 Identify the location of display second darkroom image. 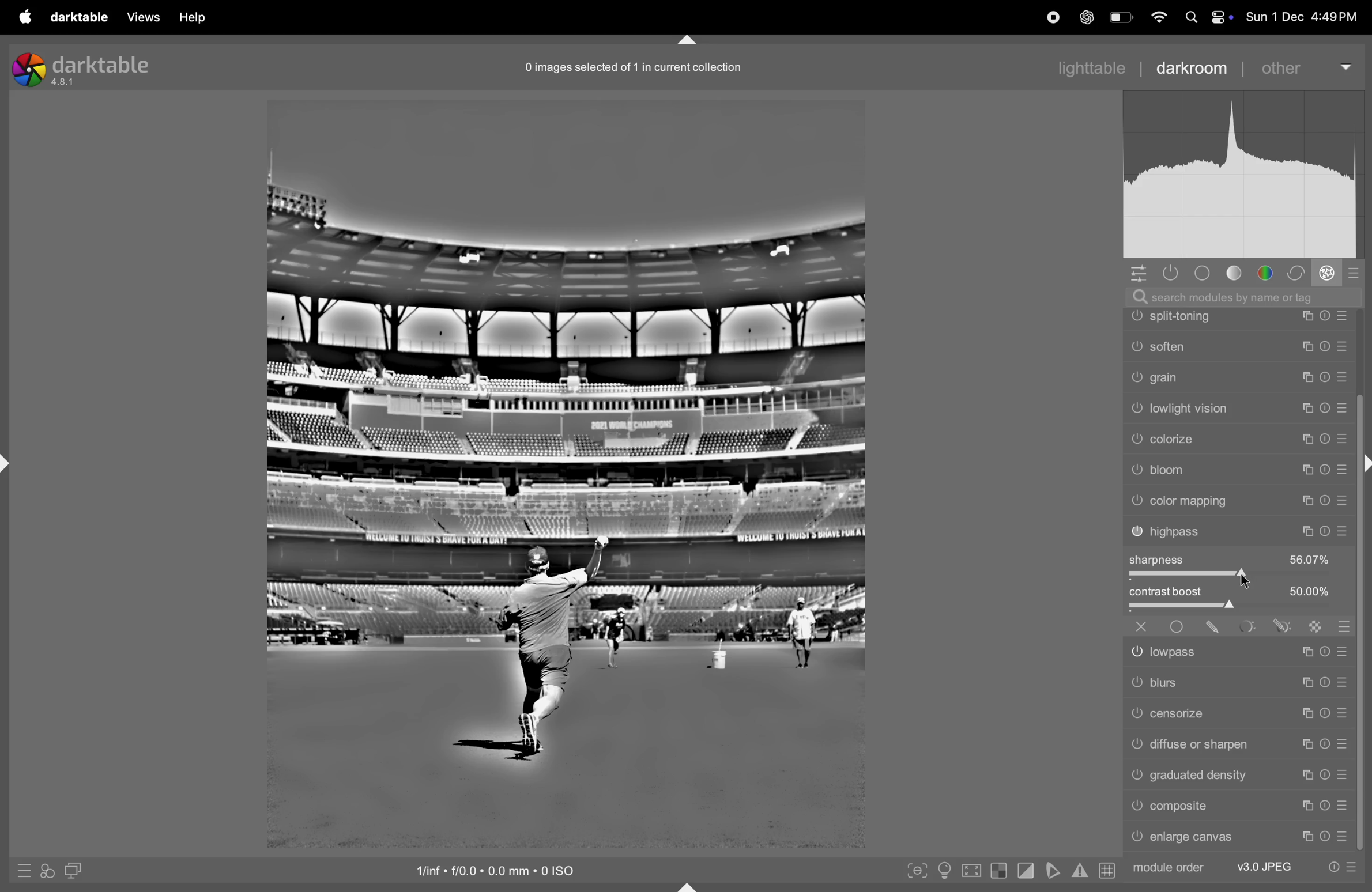
(72, 870).